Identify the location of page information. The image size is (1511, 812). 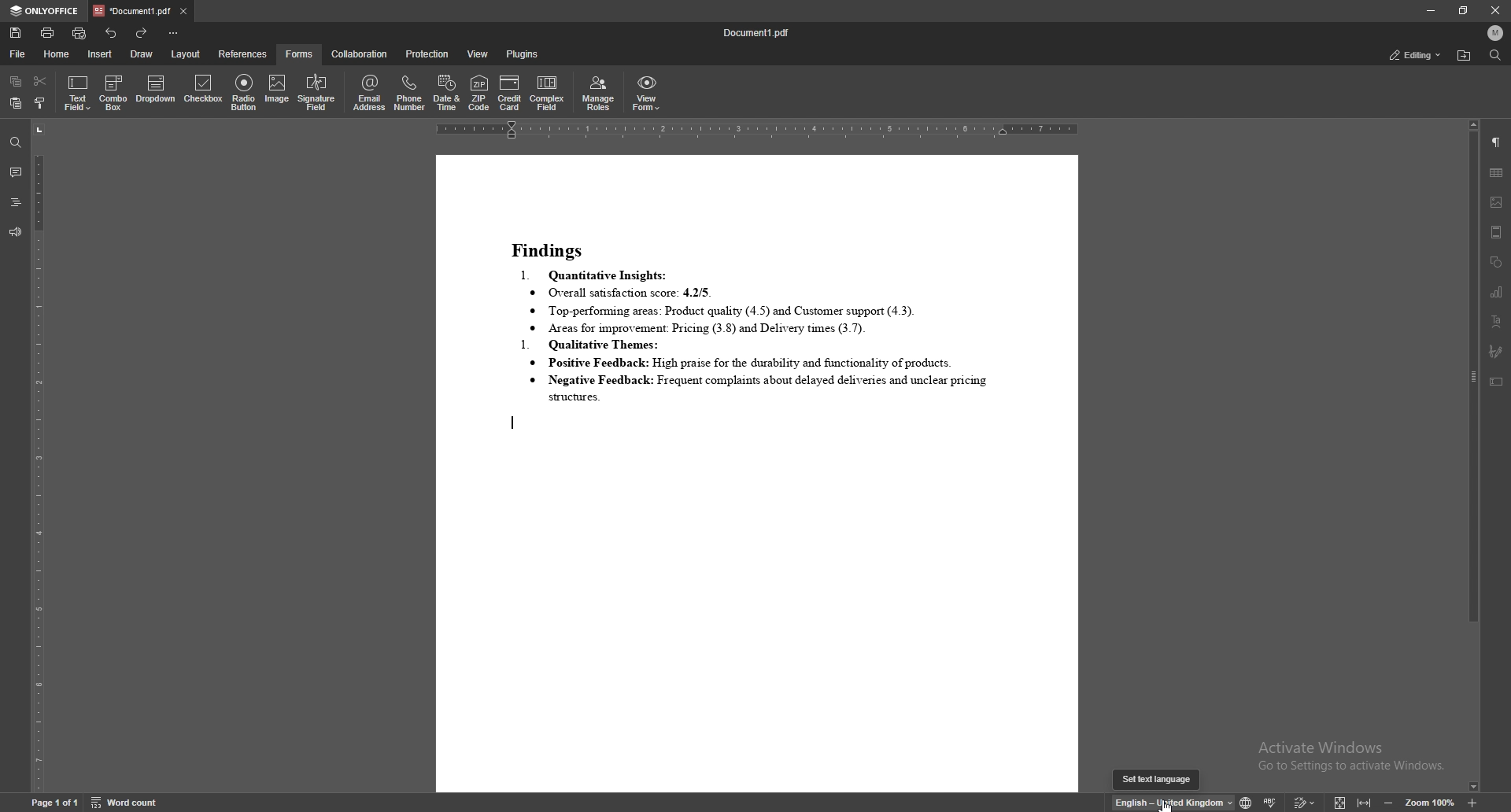
(53, 804).